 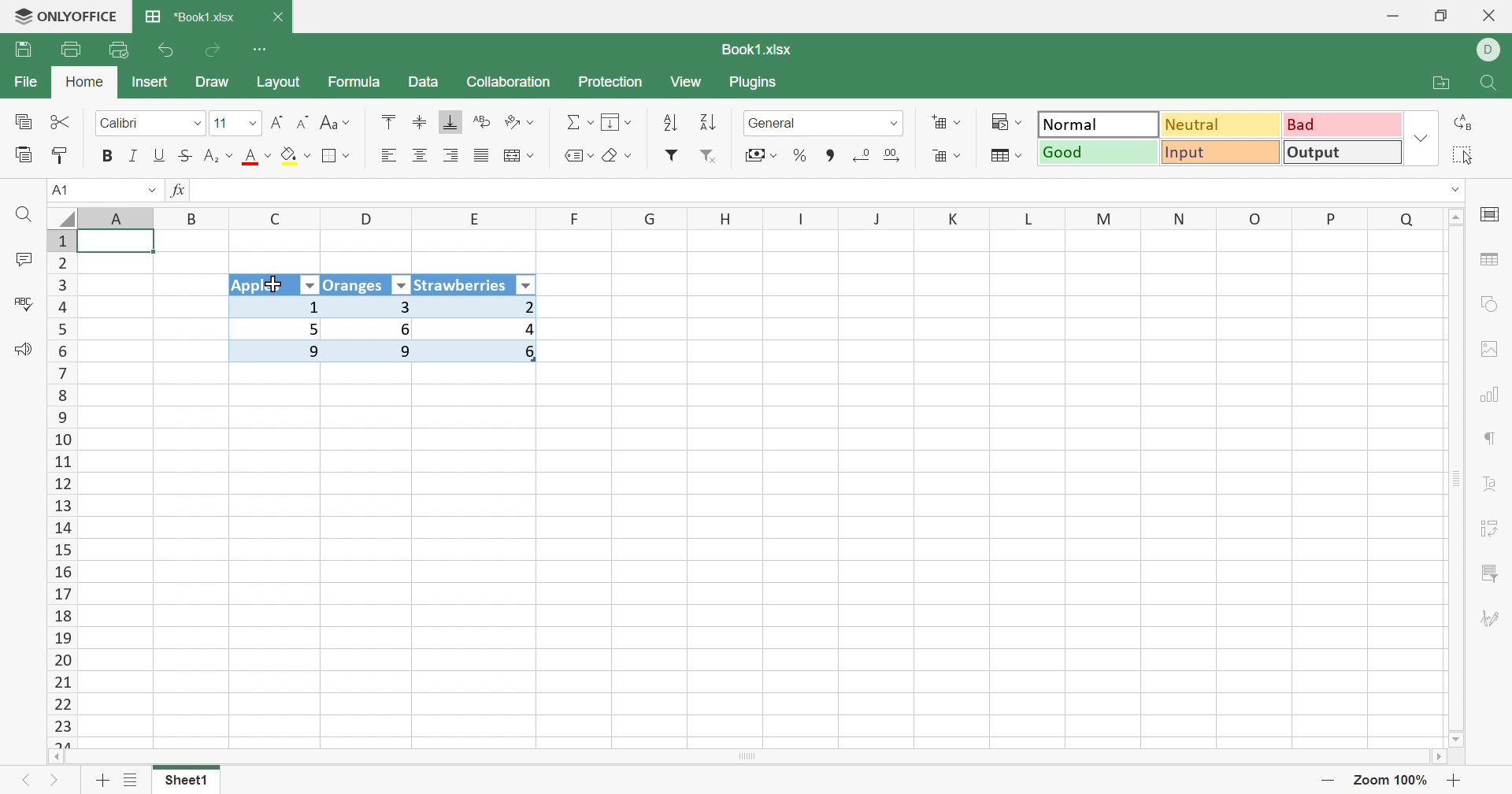 What do you see at coordinates (1406, 217) in the screenshot?
I see `Q` at bounding box center [1406, 217].